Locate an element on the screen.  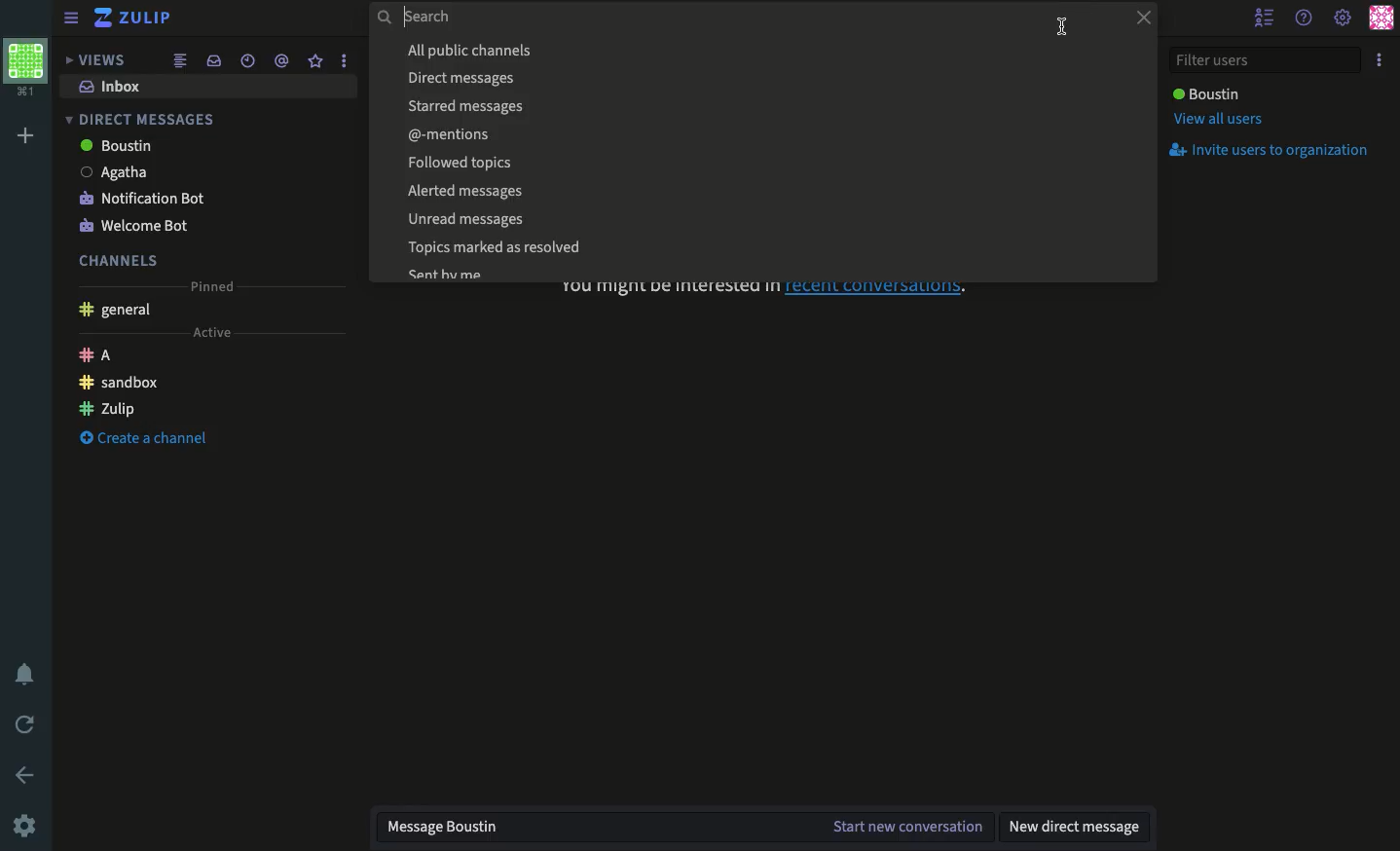
direct messages is located at coordinates (764, 77).